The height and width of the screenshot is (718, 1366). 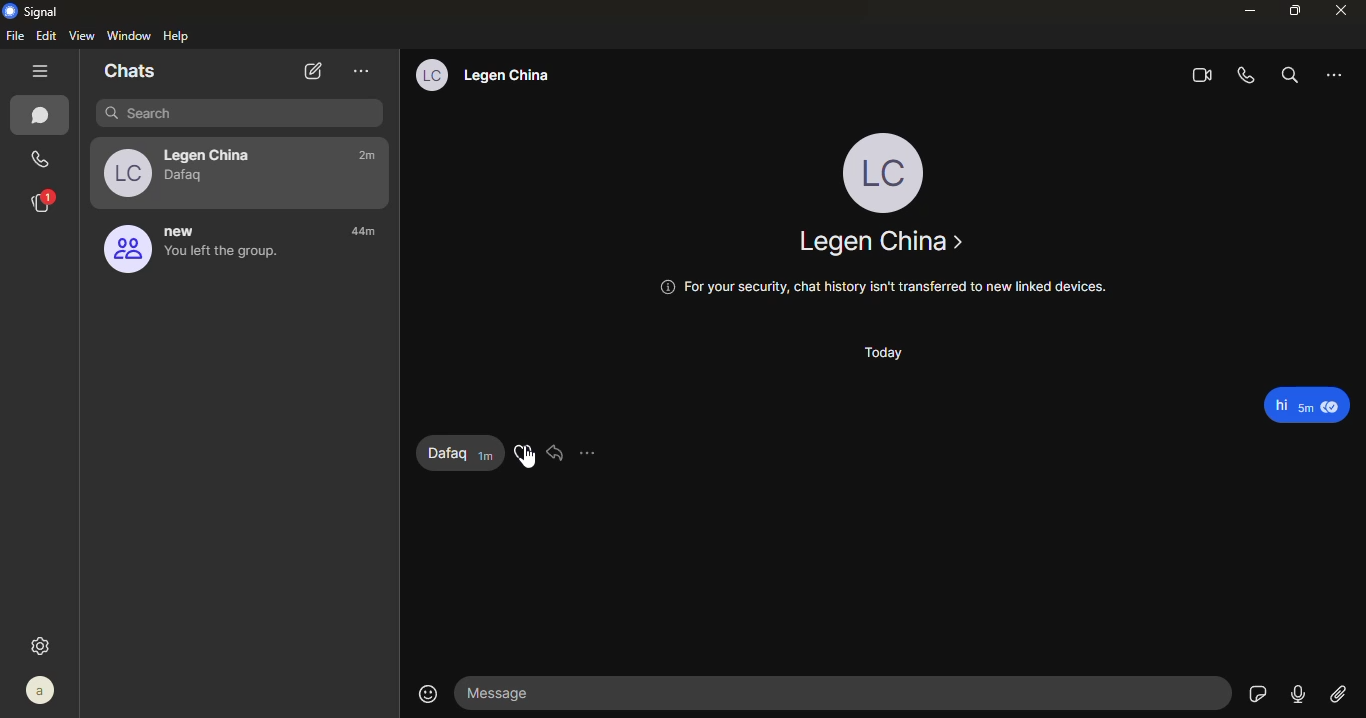 What do you see at coordinates (880, 242) in the screenshot?
I see `Legen china` at bounding box center [880, 242].